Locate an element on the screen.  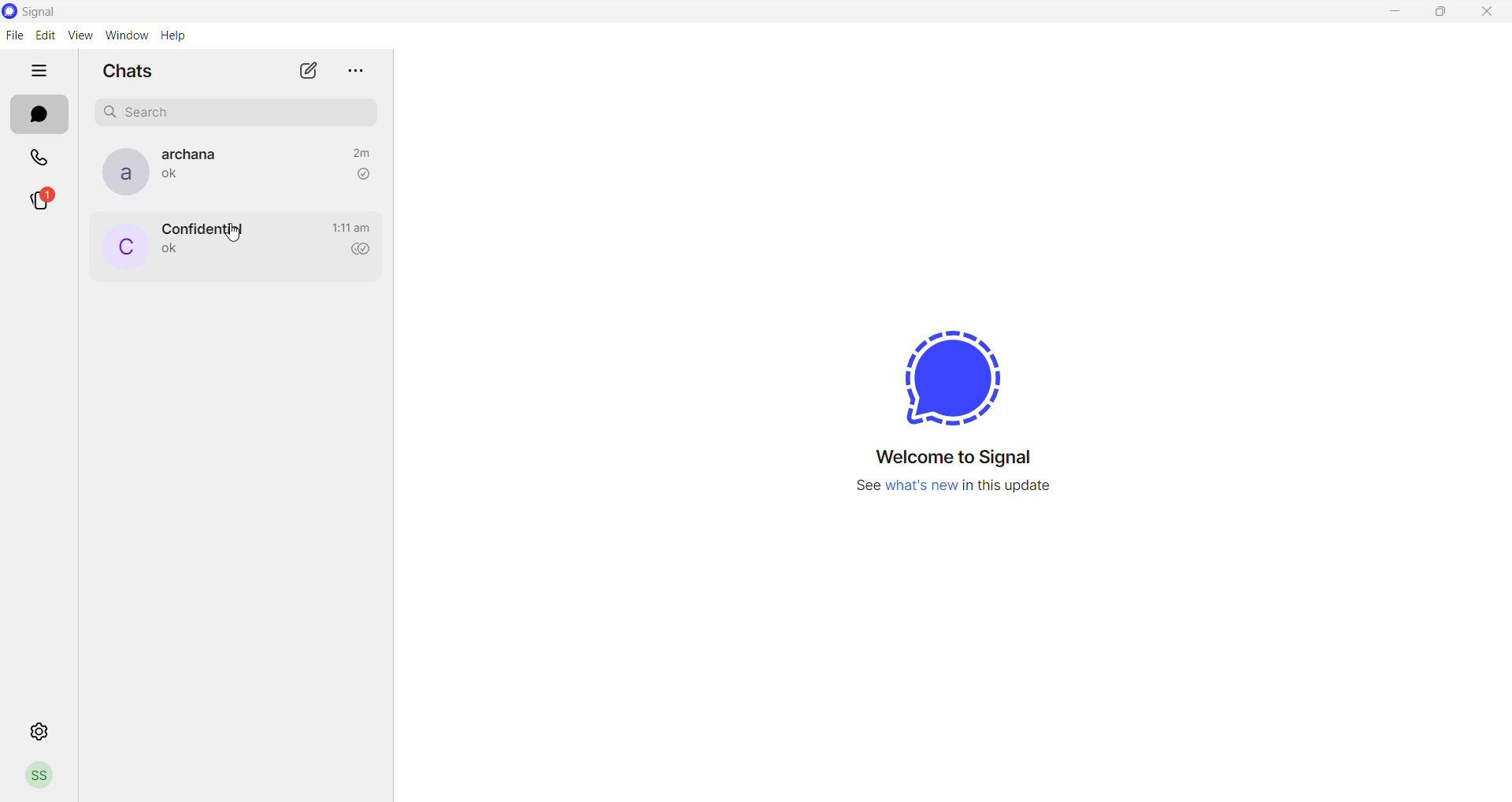
stories is located at coordinates (50, 201).